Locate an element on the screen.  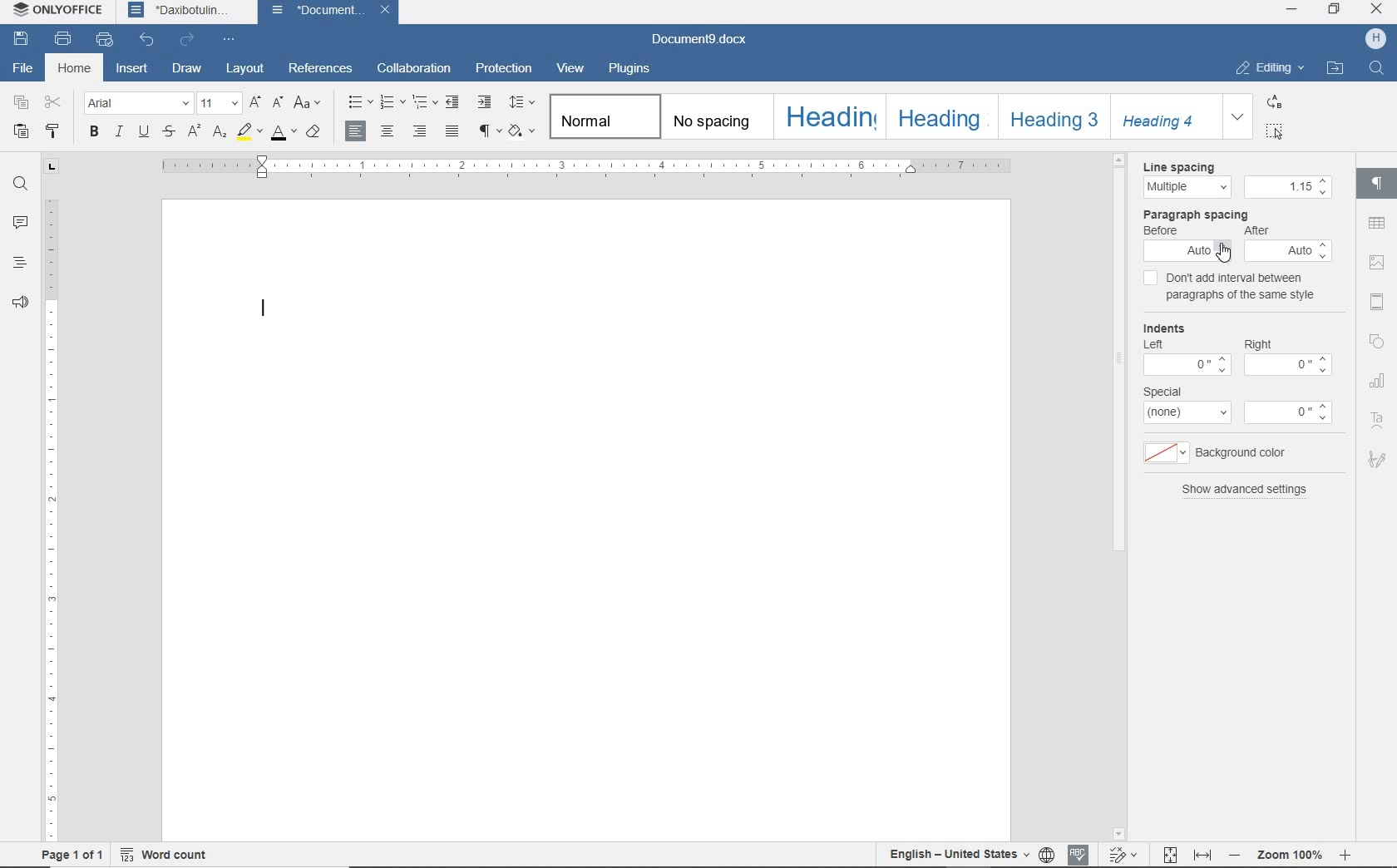
don't add interval between paragraphs of the same style is located at coordinates (1234, 284).